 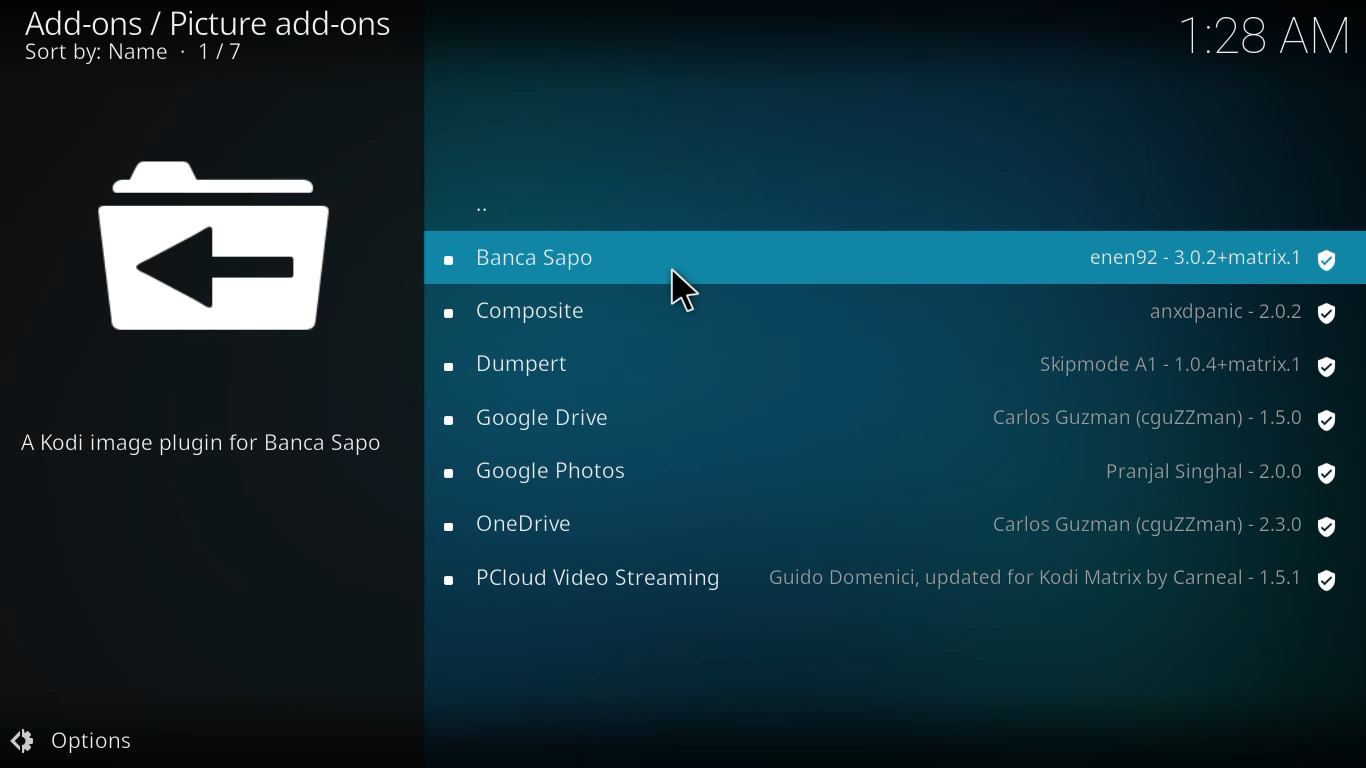 I want to click on sort by name, so click(x=130, y=55).